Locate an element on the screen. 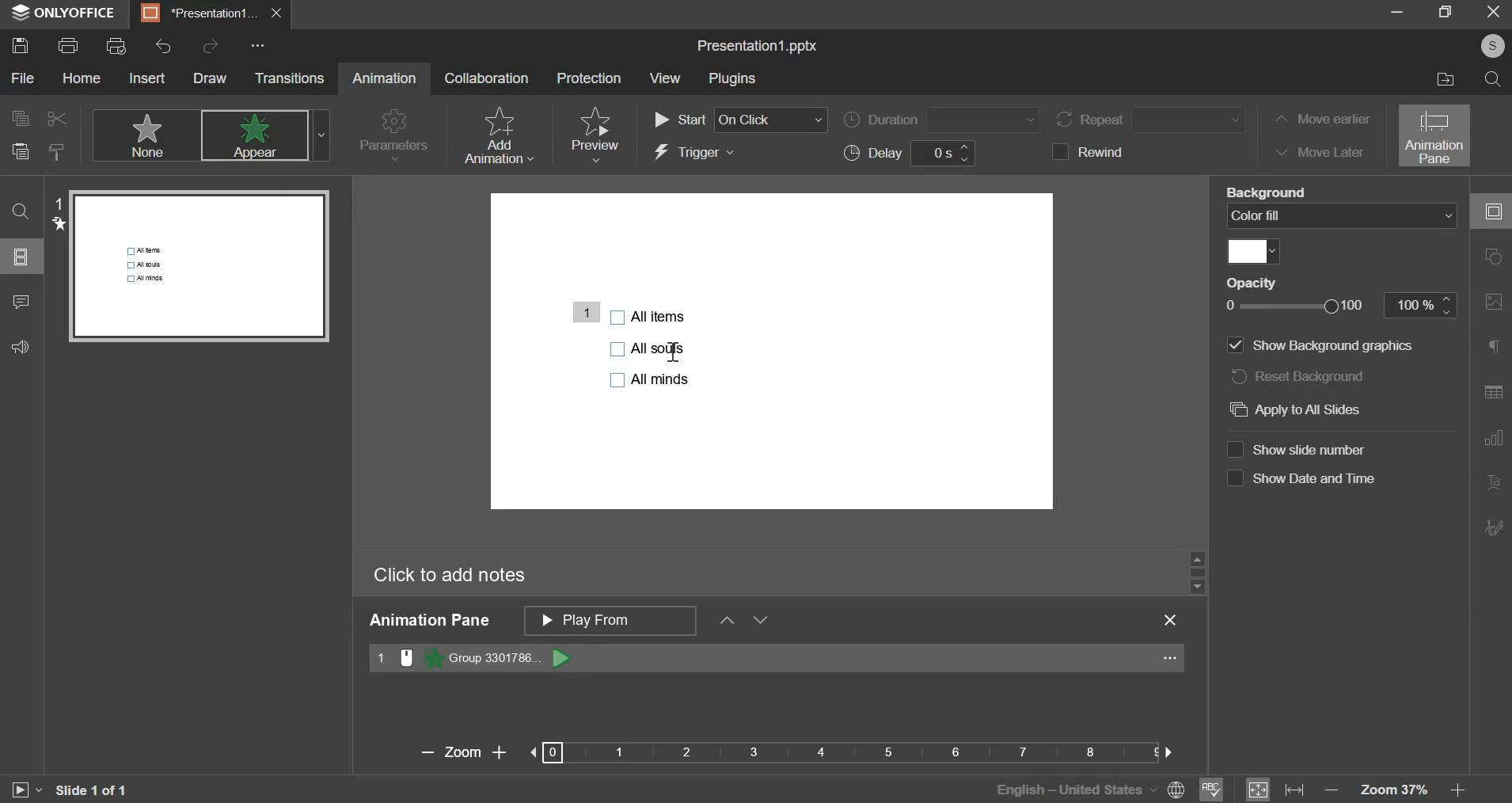  opacity slider is located at coordinates (1334, 305).